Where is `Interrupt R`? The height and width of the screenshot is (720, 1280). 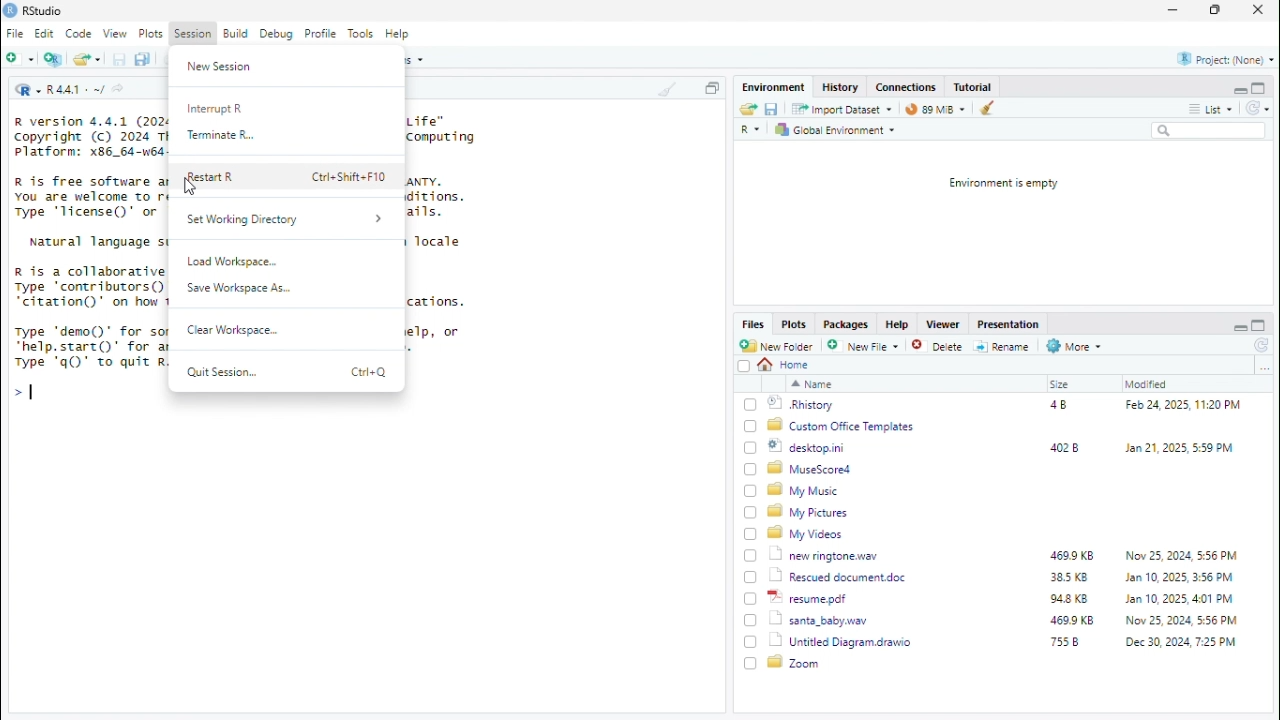
Interrupt R is located at coordinates (219, 110).